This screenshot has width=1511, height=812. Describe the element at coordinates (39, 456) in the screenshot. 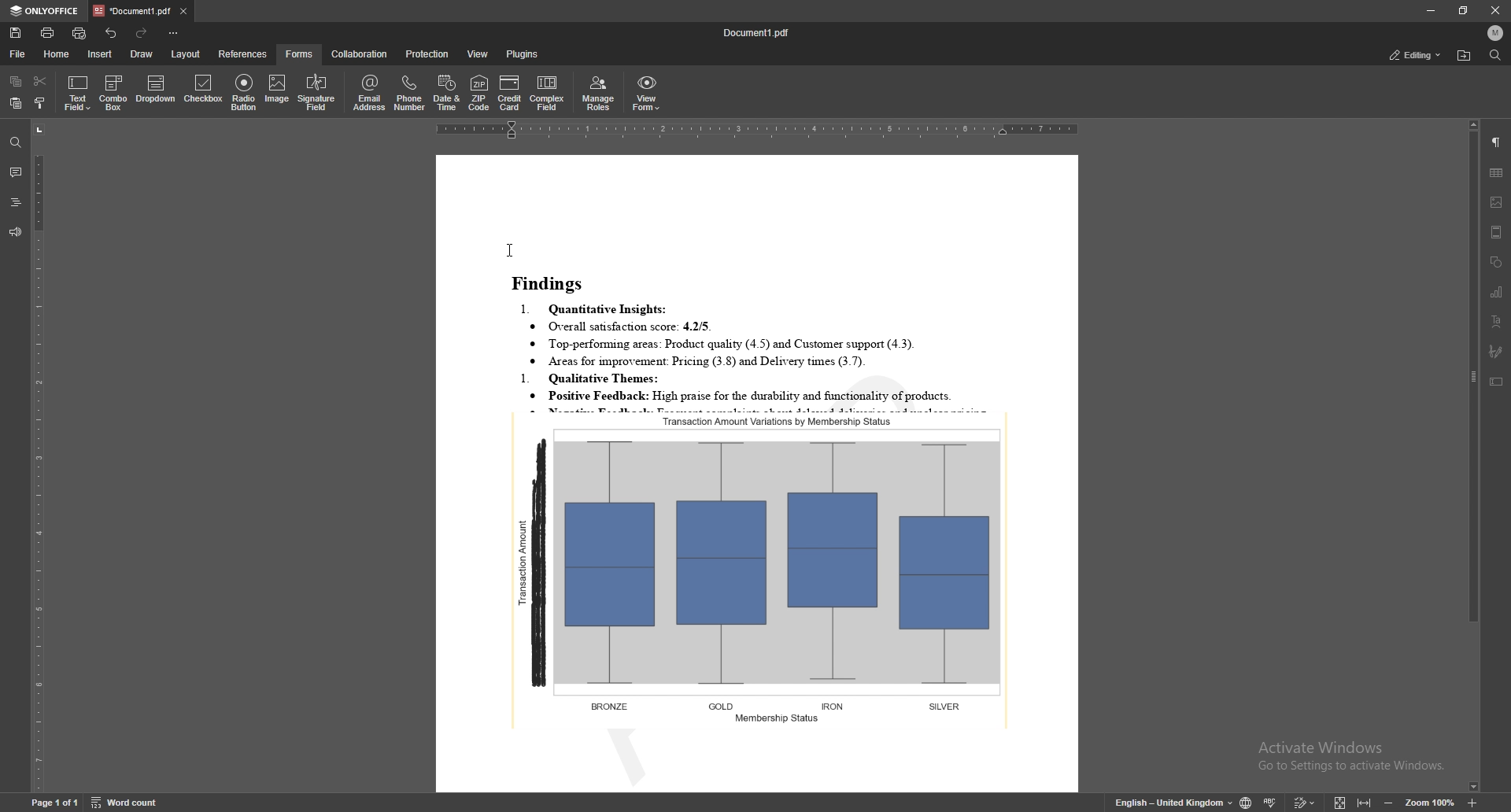

I see `vertical scale` at that location.